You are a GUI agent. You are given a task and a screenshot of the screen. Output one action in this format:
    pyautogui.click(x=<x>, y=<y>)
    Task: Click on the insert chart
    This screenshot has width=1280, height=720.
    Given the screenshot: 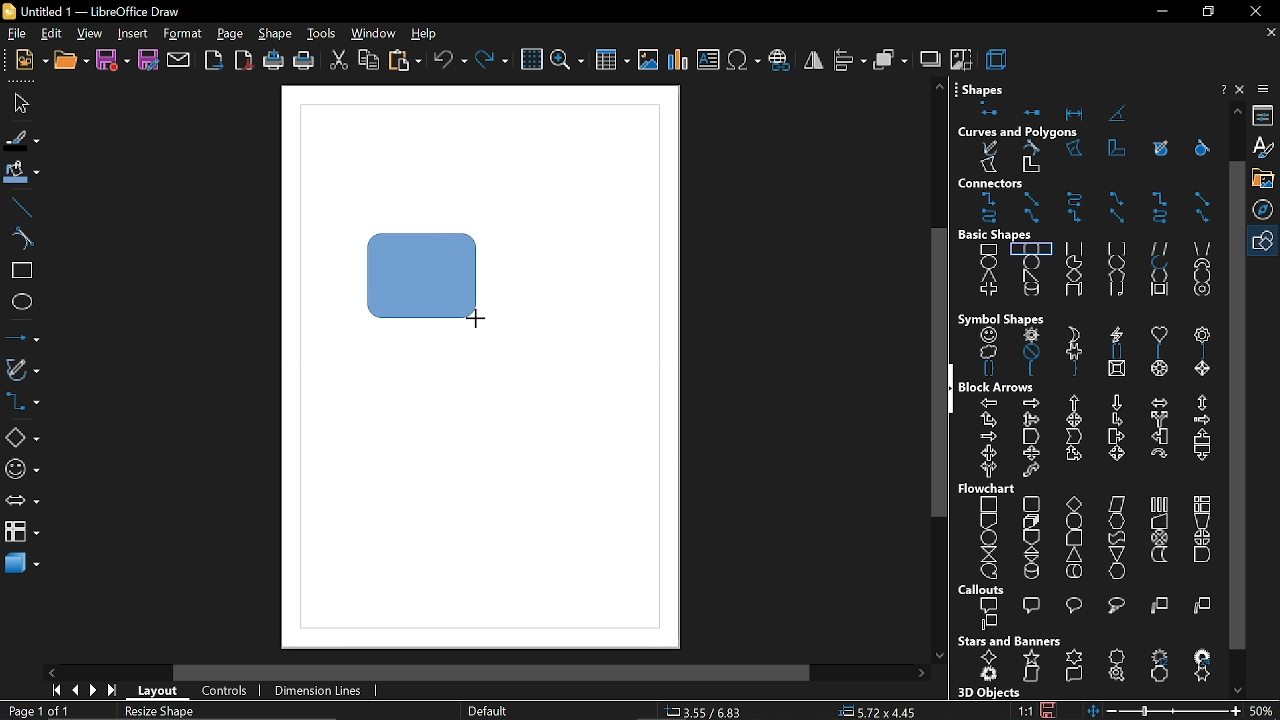 What is the action you would take?
    pyautogui.click(x=678, y=60)
    